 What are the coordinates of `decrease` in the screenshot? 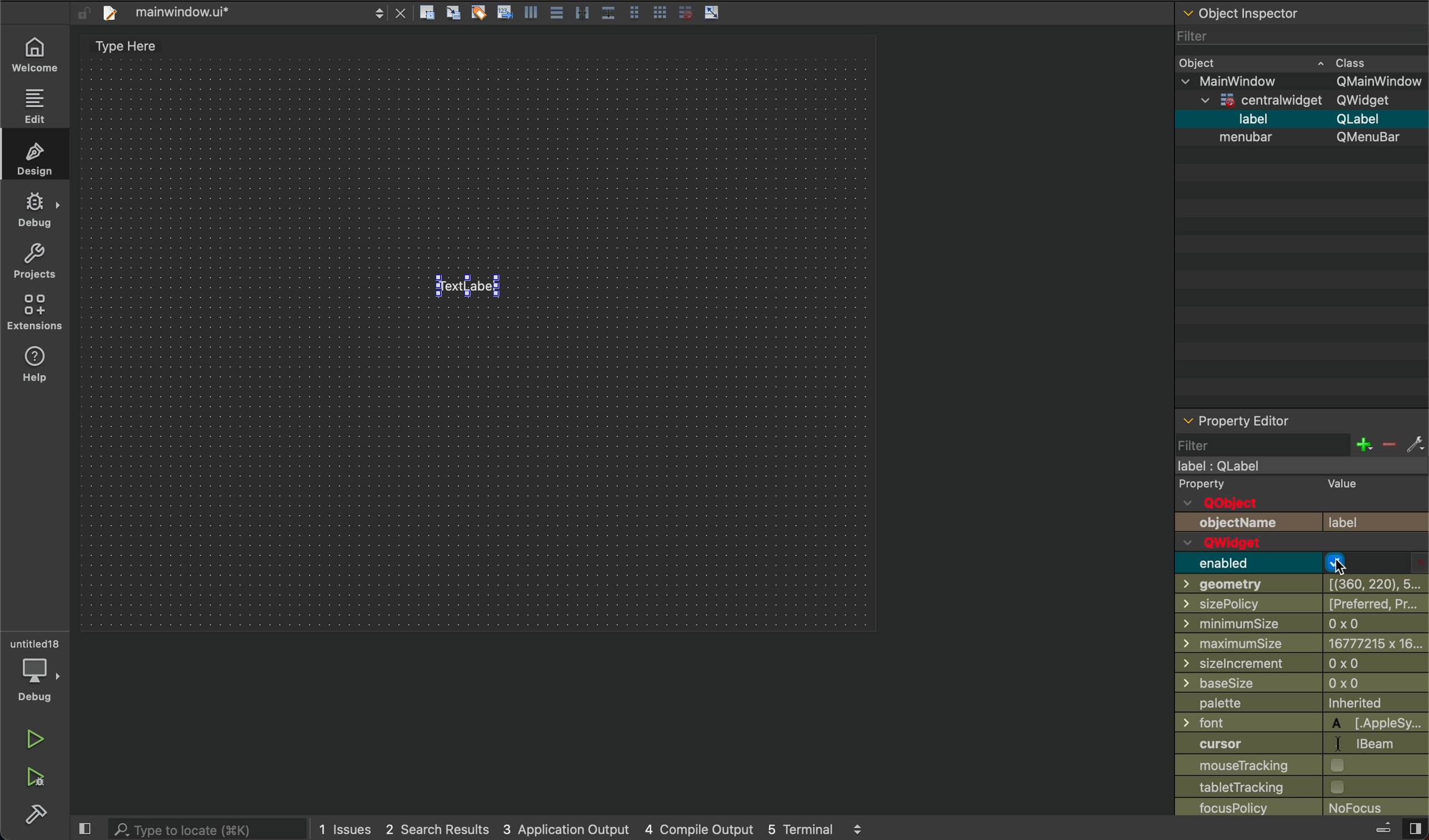 It's located at (1390, 443).